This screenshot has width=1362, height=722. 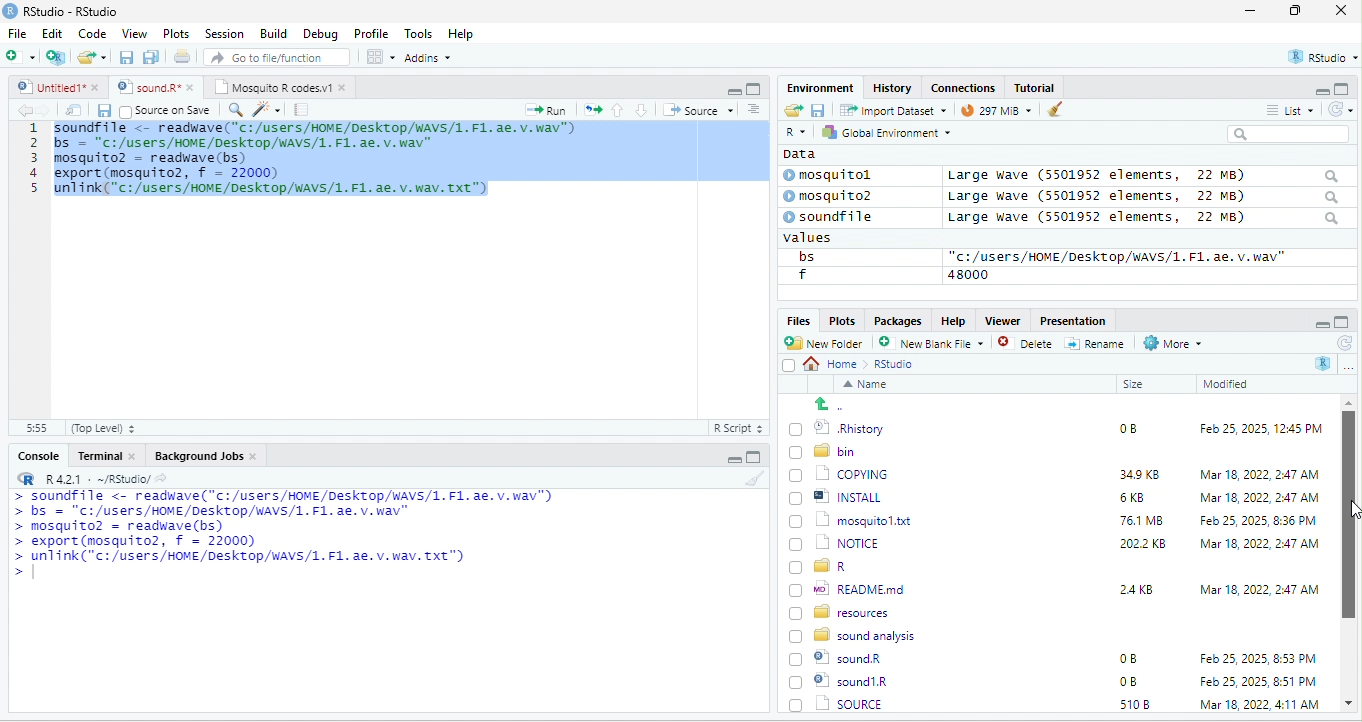 What do you see at coordinates (1096, 343) in the screenshot?
I see `=] Rename` at bounding box center [1096, 343].